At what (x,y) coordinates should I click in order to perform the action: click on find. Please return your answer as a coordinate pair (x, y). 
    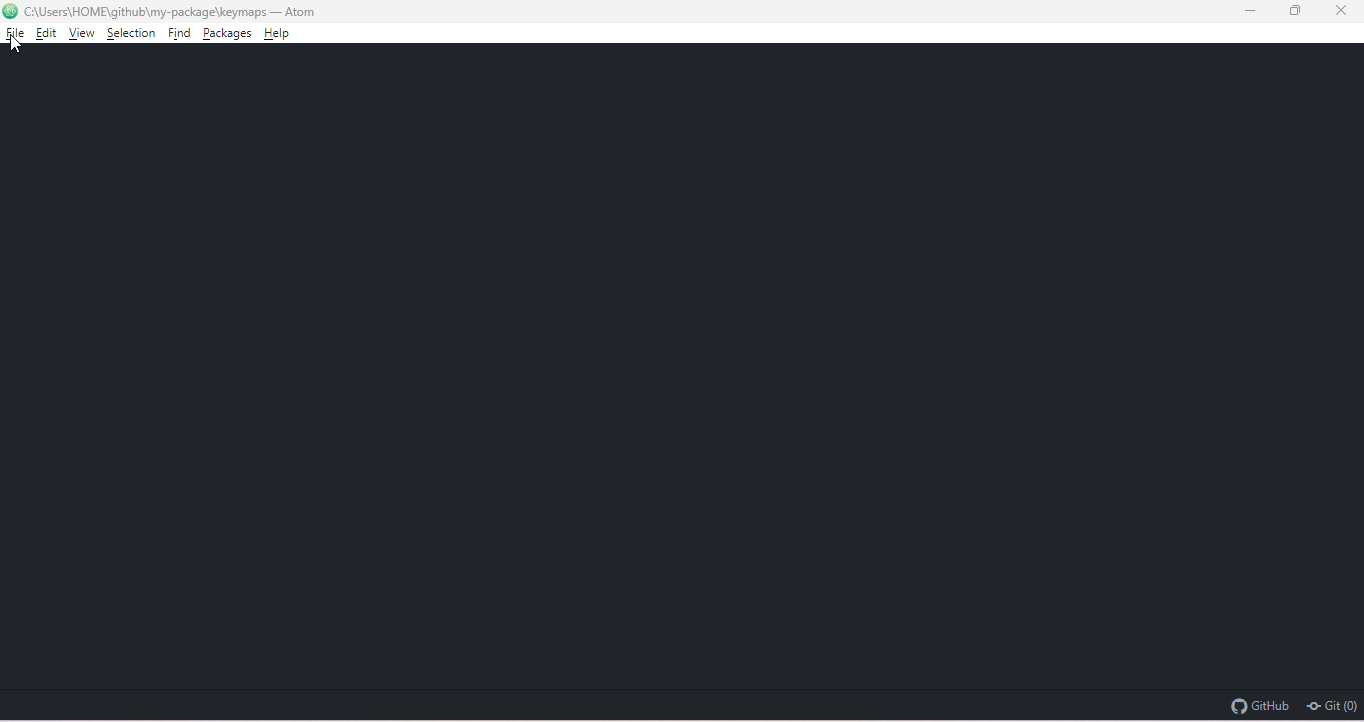
    Looking at the image, I should click on (180, 33).